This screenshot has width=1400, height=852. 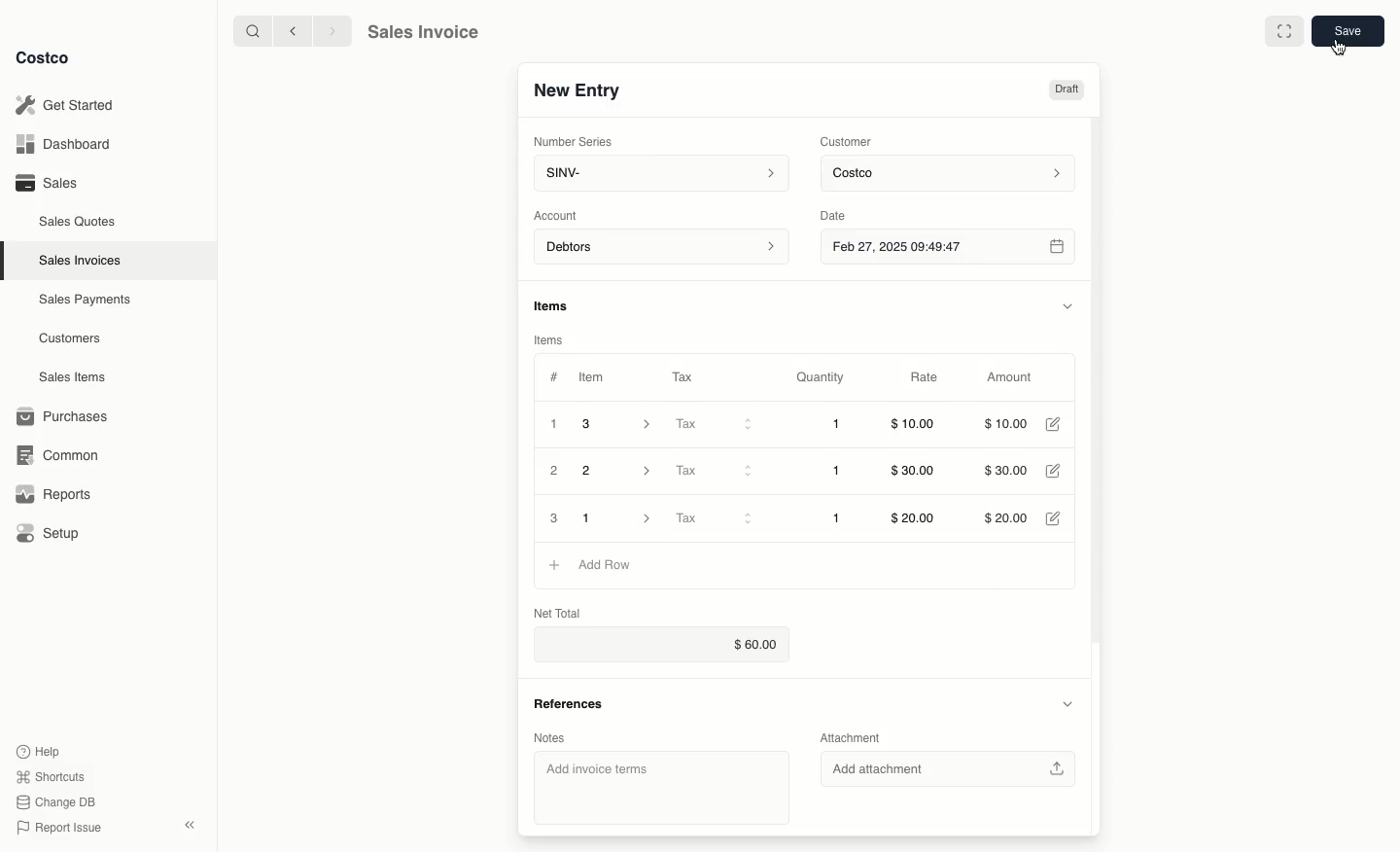 I want to click on Quantity, so click(x=822, y=377).